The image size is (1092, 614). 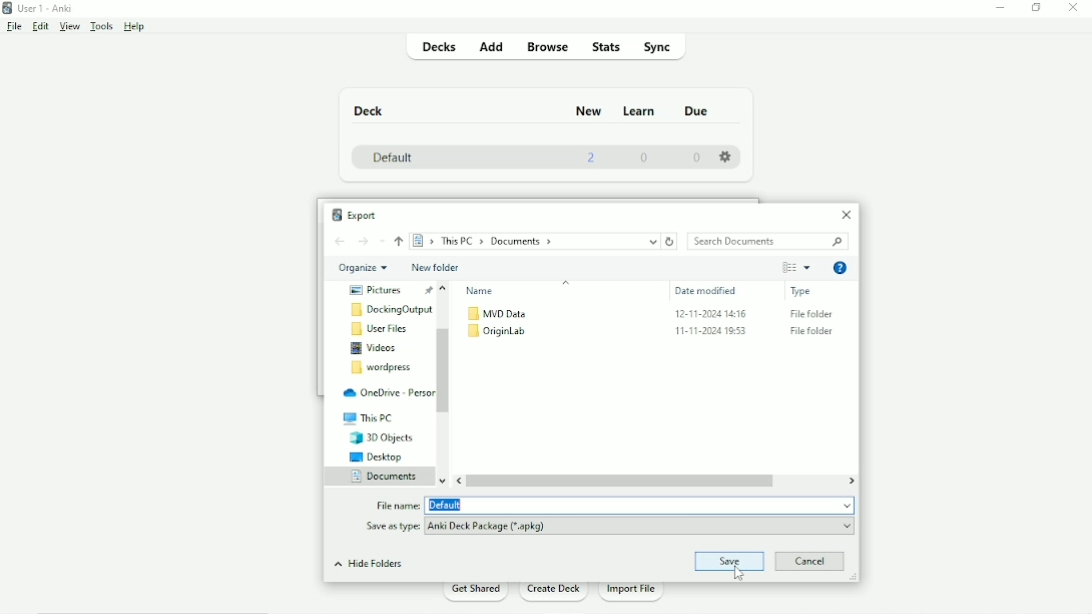 I want to click on Up to "This PC", so click(x=398, y=241).